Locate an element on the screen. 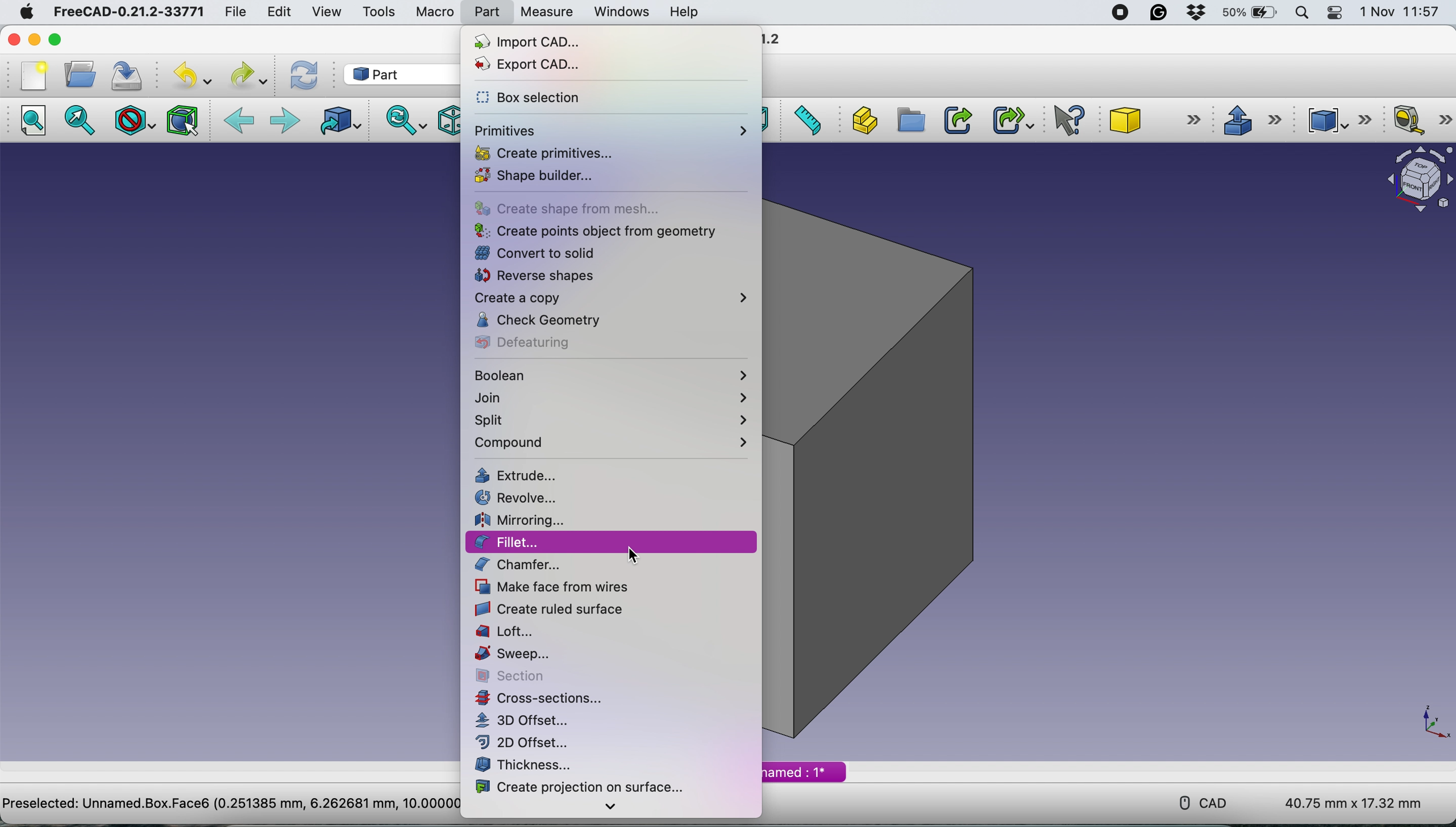  loft is located at coordinates (513, 631).